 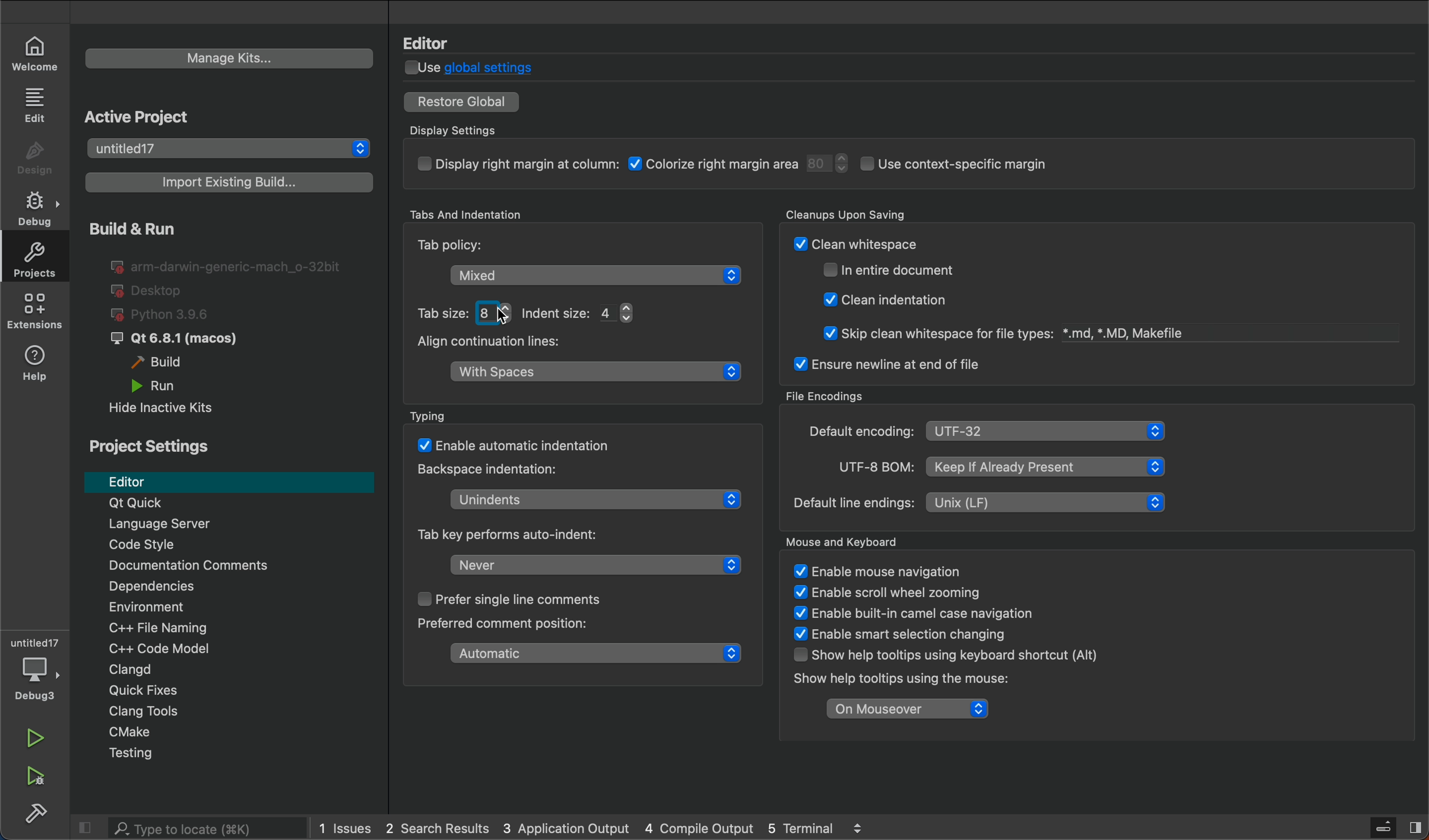 I want to click on editor, so click(x=229, y=481).